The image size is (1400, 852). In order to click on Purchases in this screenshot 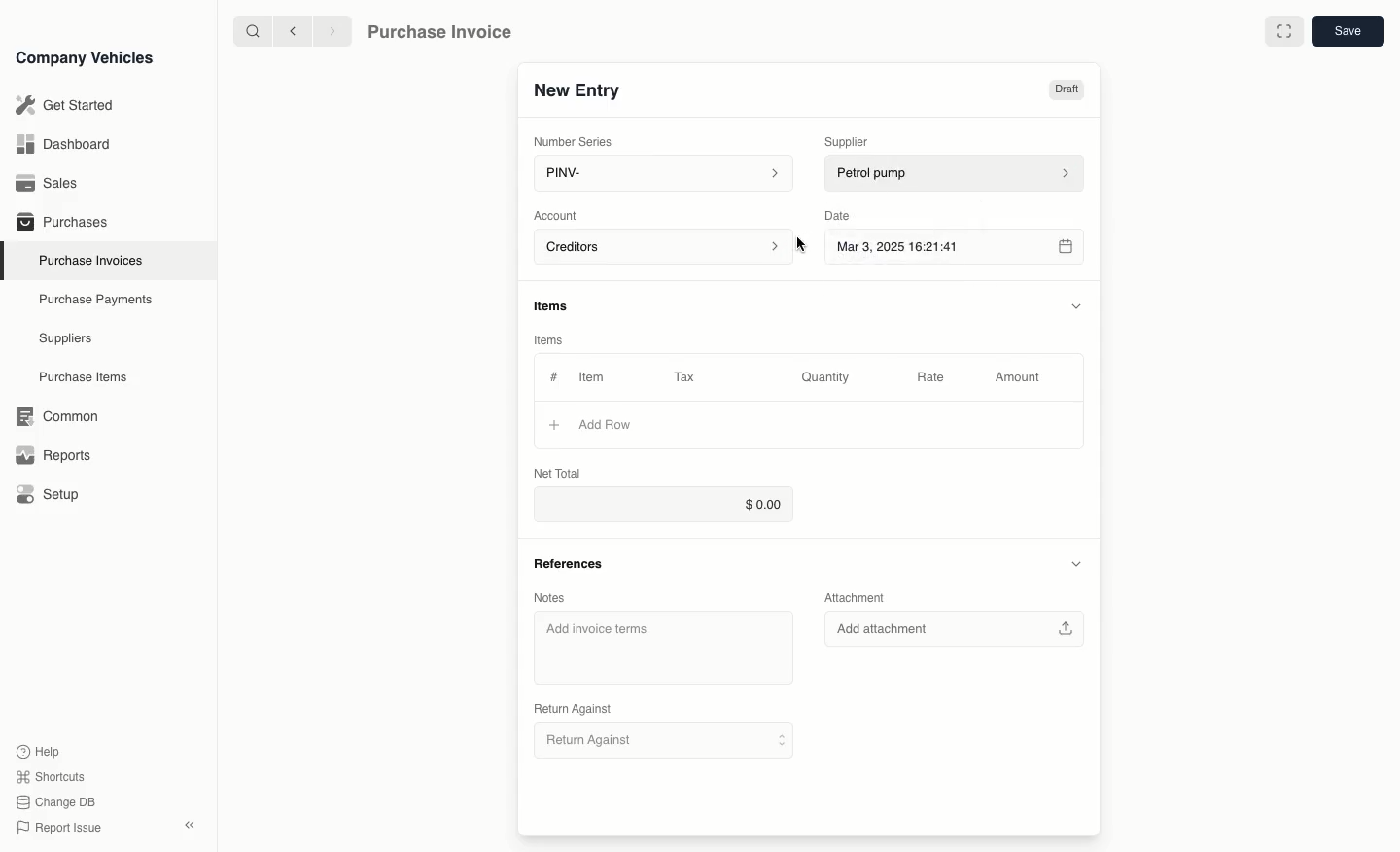, I will do `click(57, 224)`.